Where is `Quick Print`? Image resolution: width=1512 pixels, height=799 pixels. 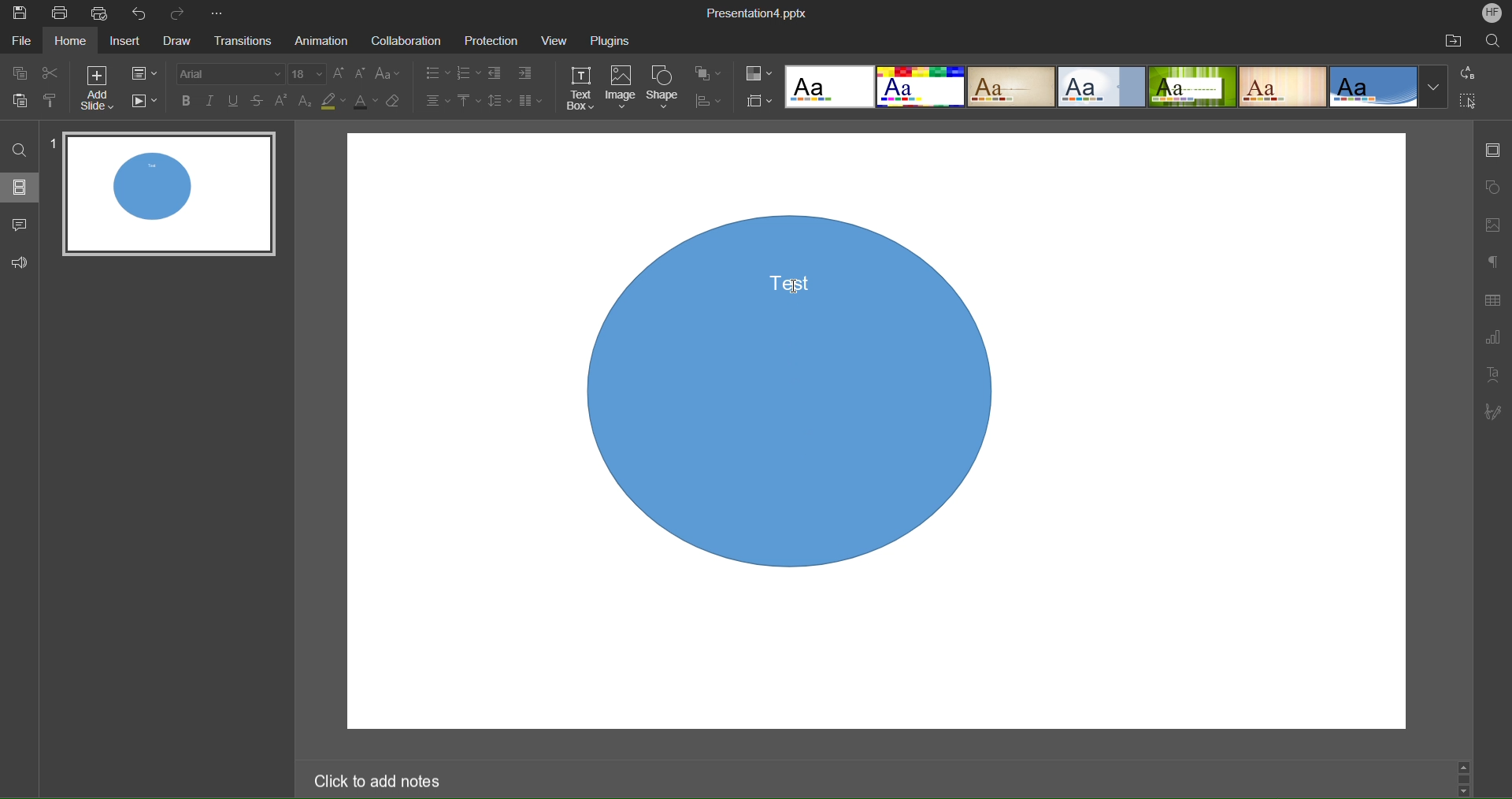 Quick Print is located at coordinates (102, 14).